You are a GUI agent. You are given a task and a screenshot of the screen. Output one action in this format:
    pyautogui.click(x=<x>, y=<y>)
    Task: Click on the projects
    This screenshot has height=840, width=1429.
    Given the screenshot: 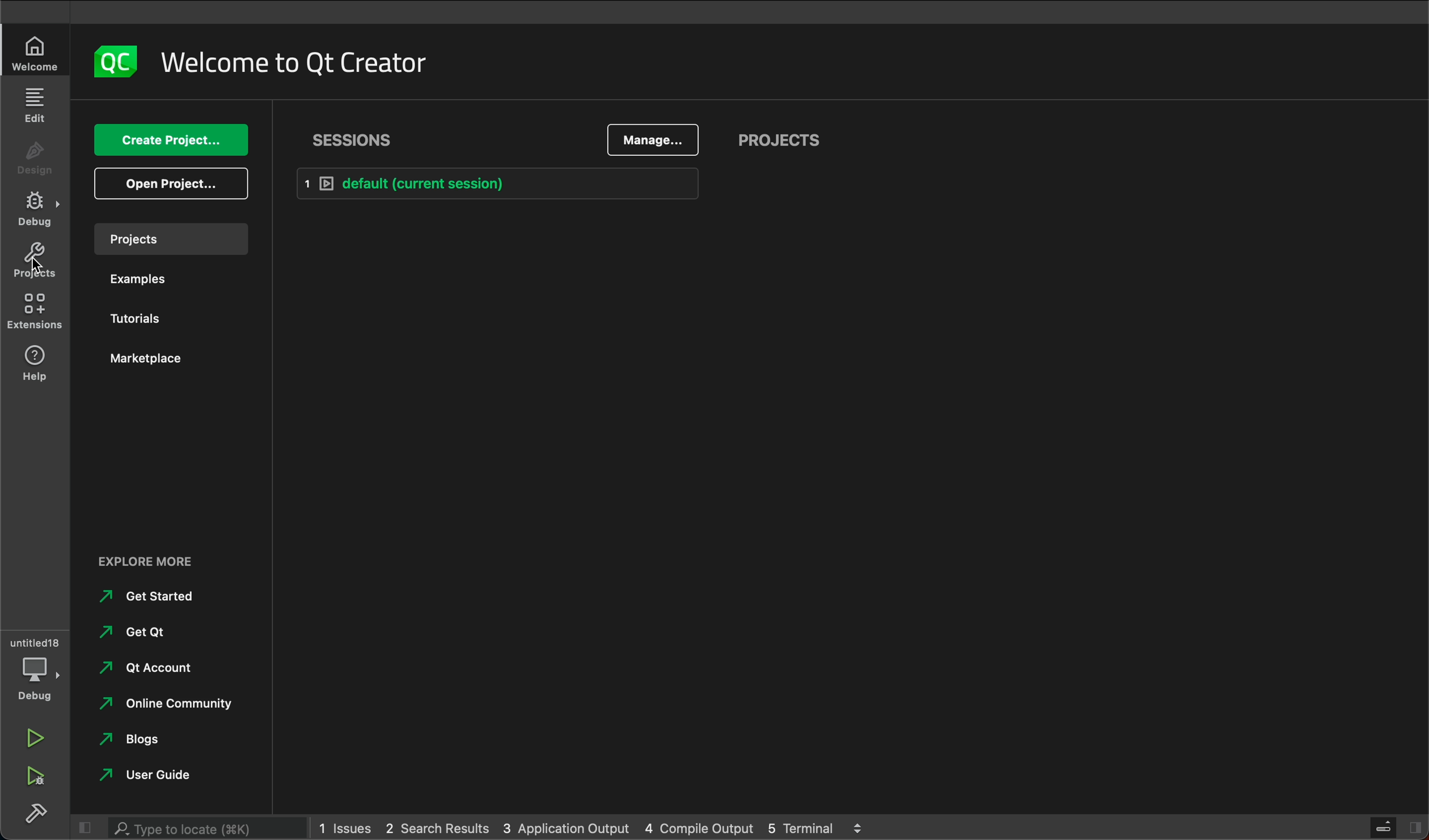 What is the action you would take?
    pyautogui.click(x=34, y=263)
    